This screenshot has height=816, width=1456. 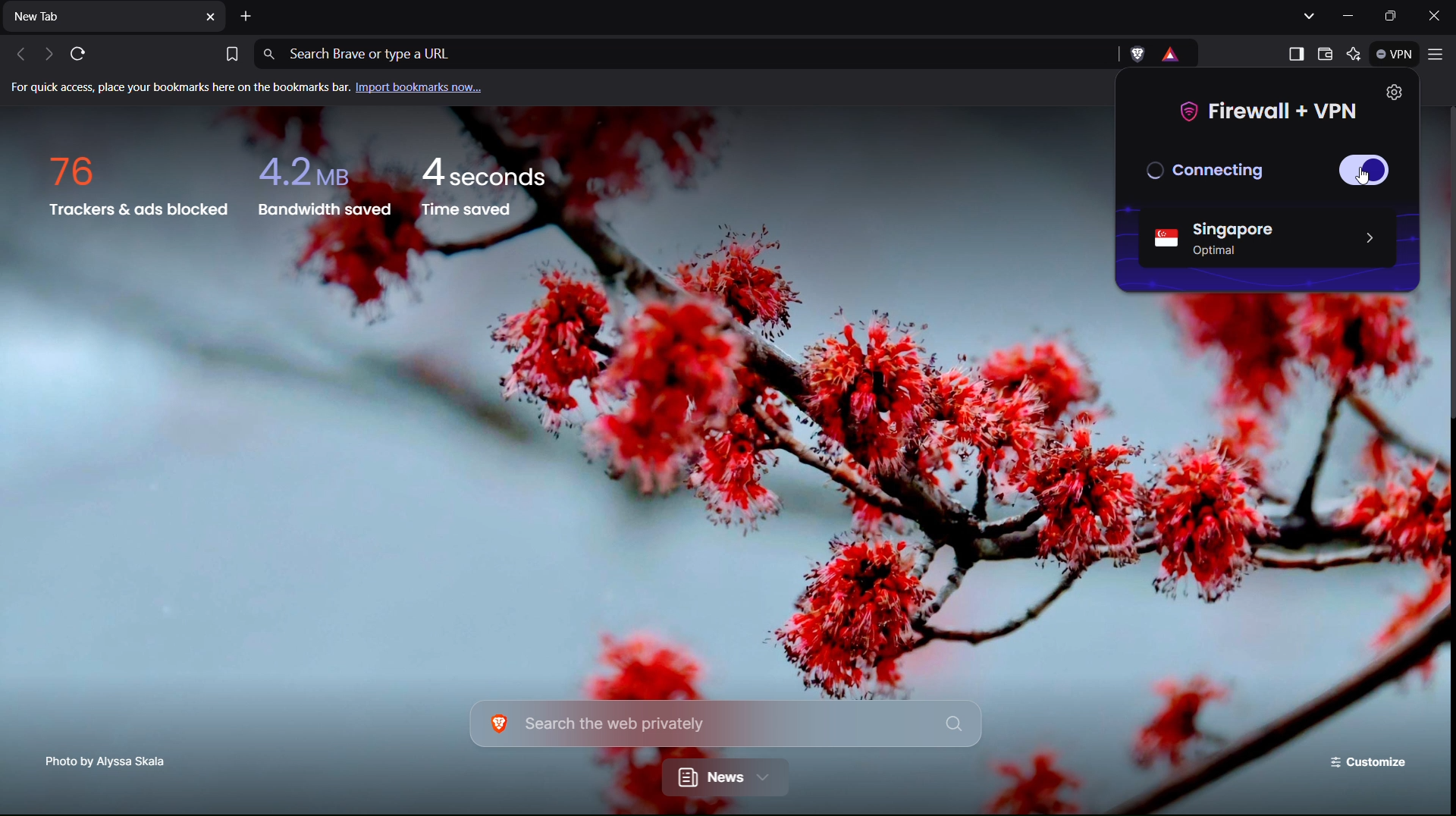 I want to click on Show tabs, so click(x=1309, y=17).